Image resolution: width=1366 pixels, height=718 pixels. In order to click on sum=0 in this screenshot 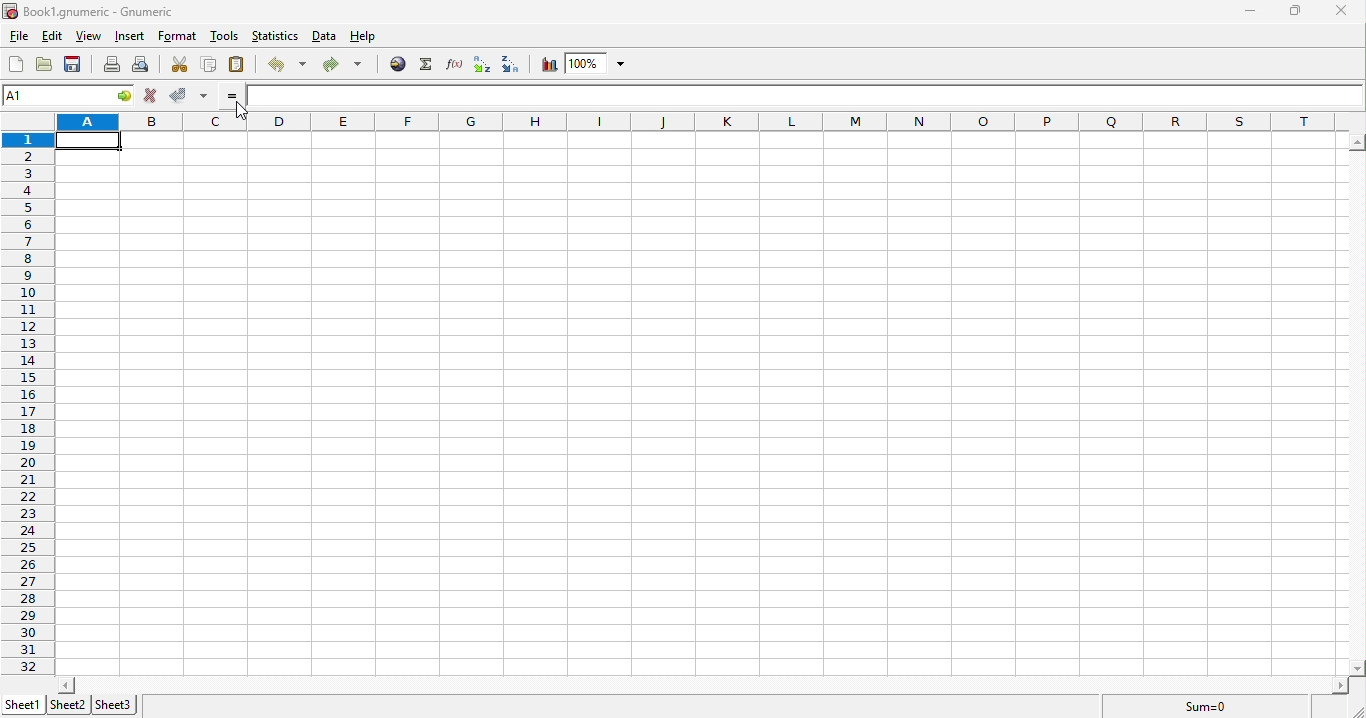, I will do `click(1206, 708)`.